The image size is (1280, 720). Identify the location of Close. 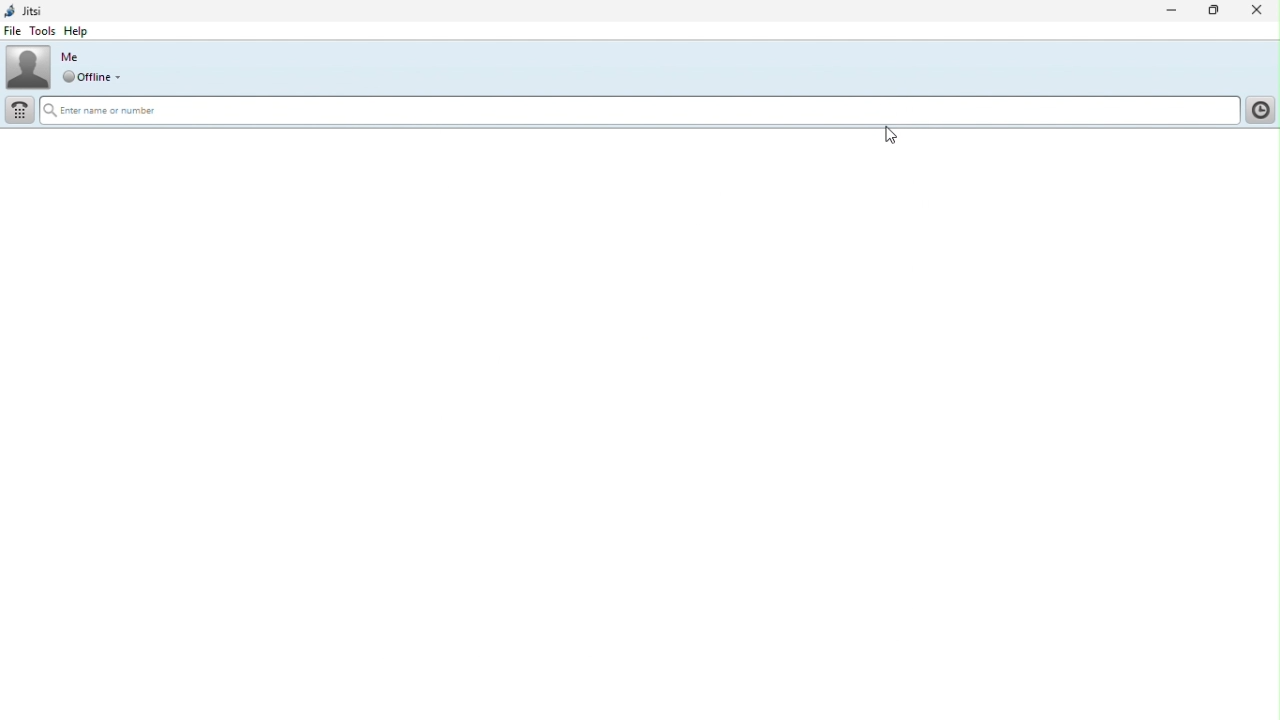
(1257, 11).